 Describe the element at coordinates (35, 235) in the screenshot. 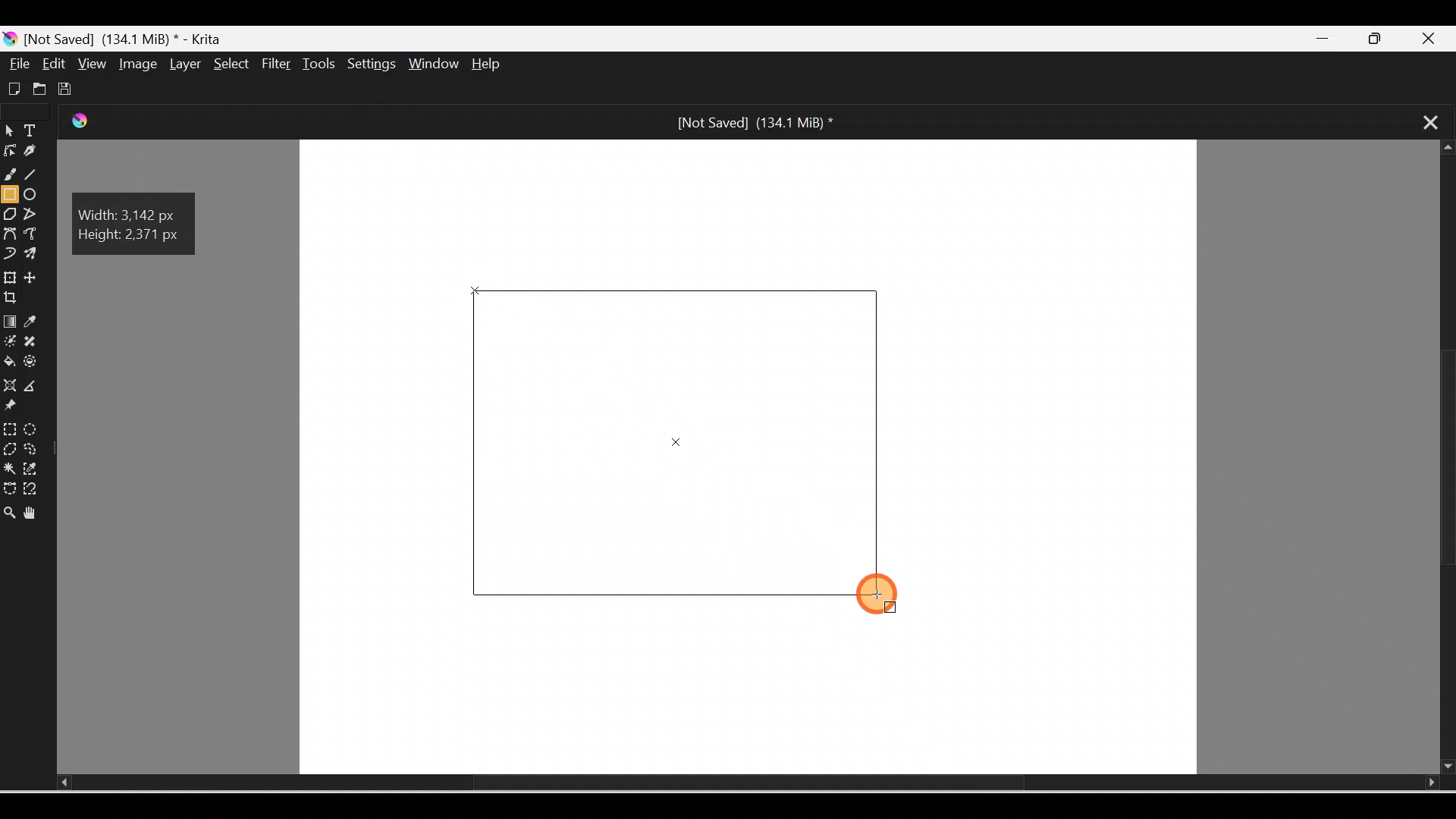

I see `Freehand path tool` at that location.